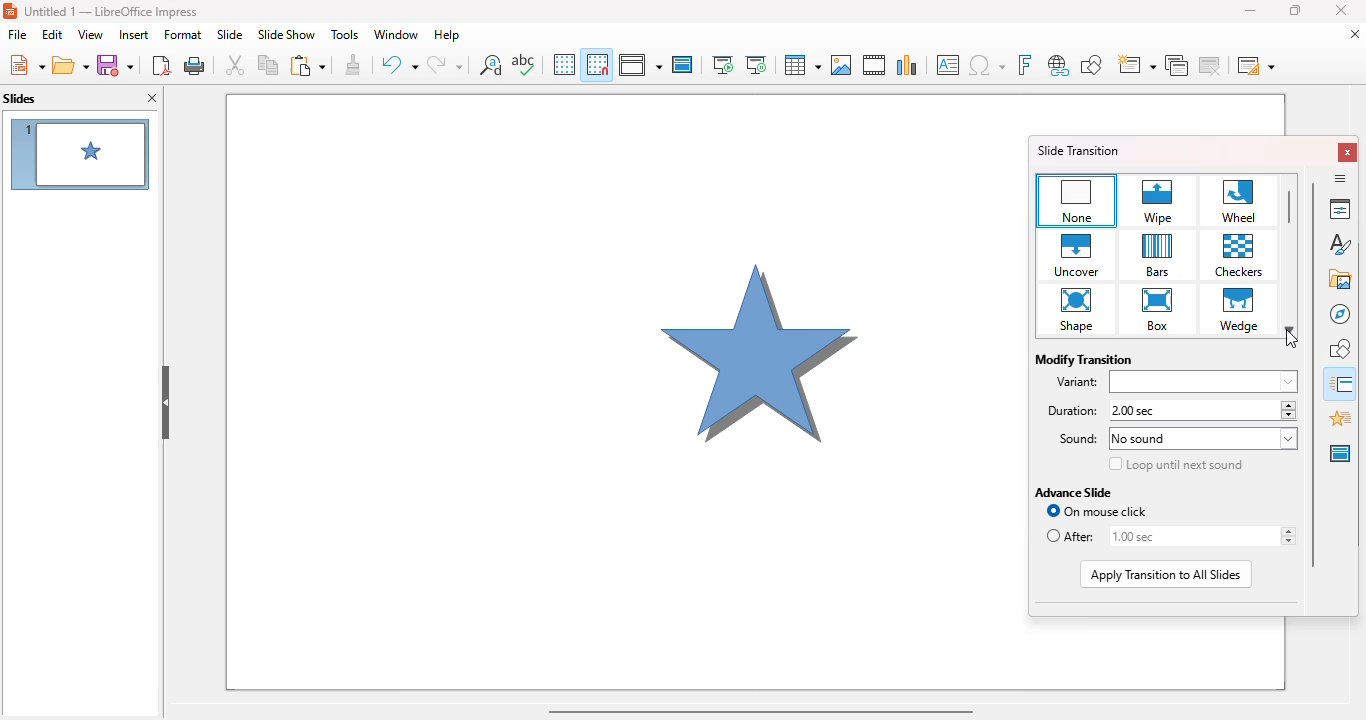 This screenshot has height=720, width=1366. I want to click on show draw functions, so click(1091, 66).